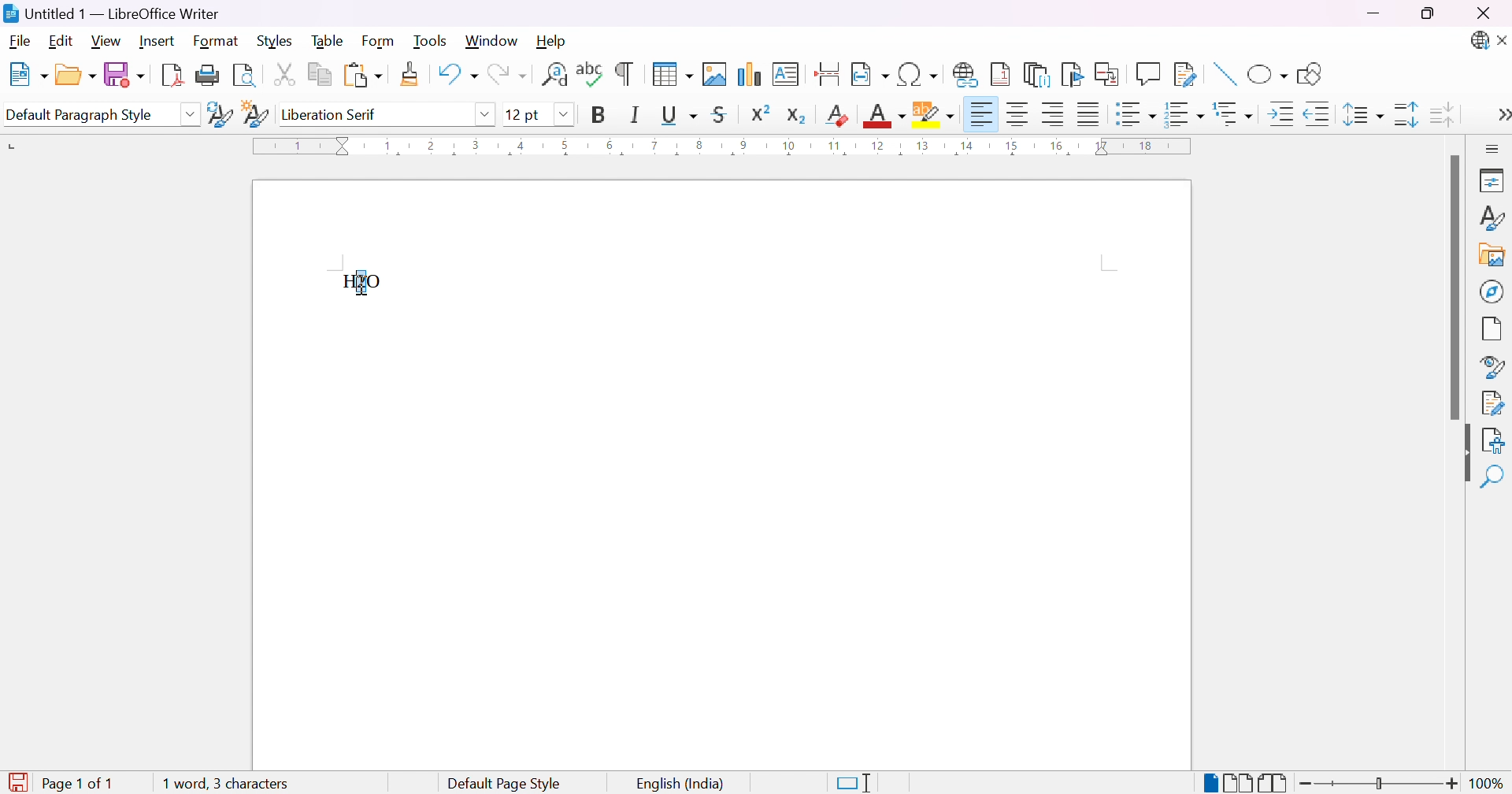 The width and height of the screenshot is (1512, 794). Describe the element at coordinates (672, 73) in the screenshot. I see `Insert table` at that location.